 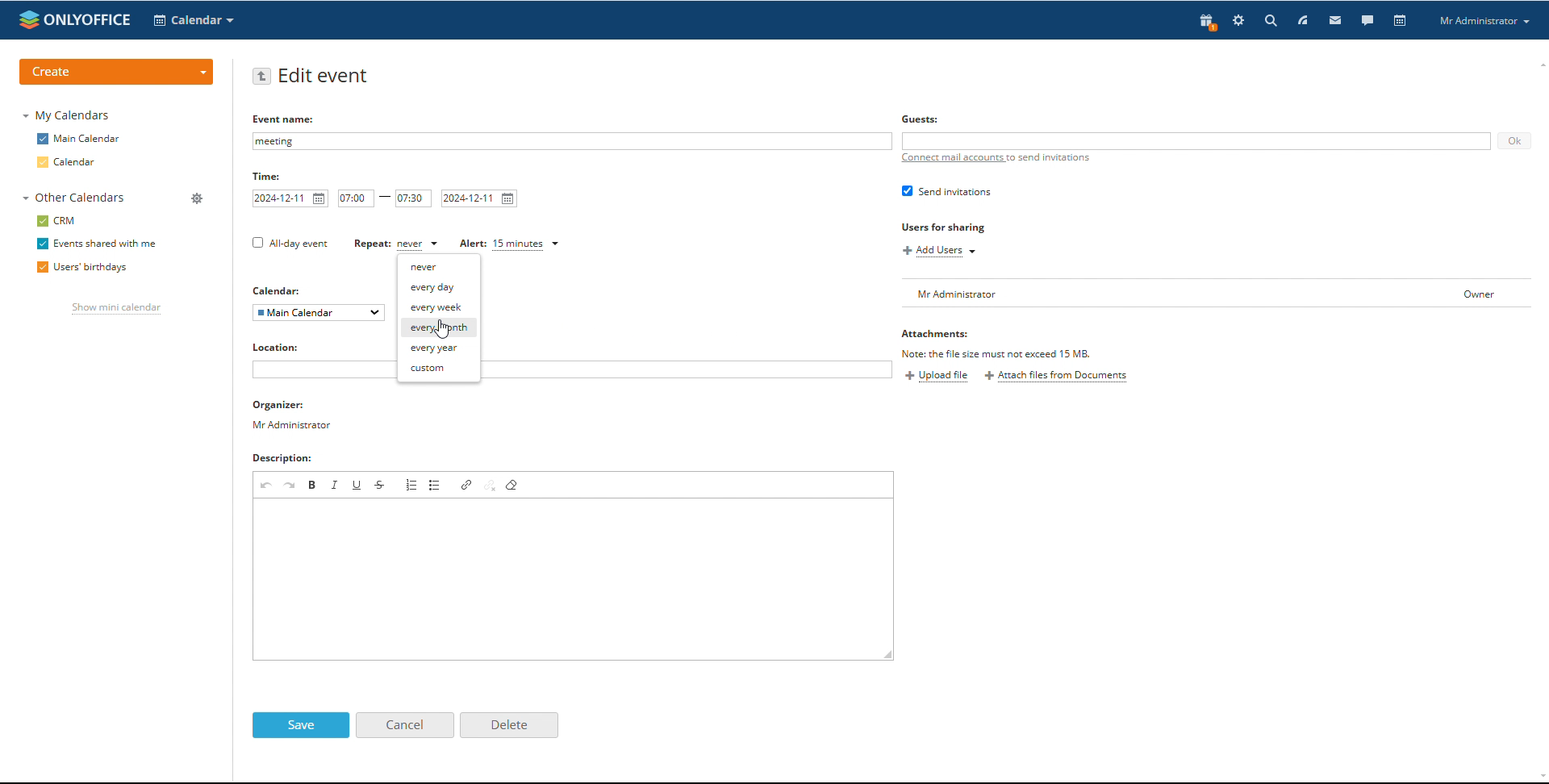 I want to click on edit event, so click(x=324, y=77).